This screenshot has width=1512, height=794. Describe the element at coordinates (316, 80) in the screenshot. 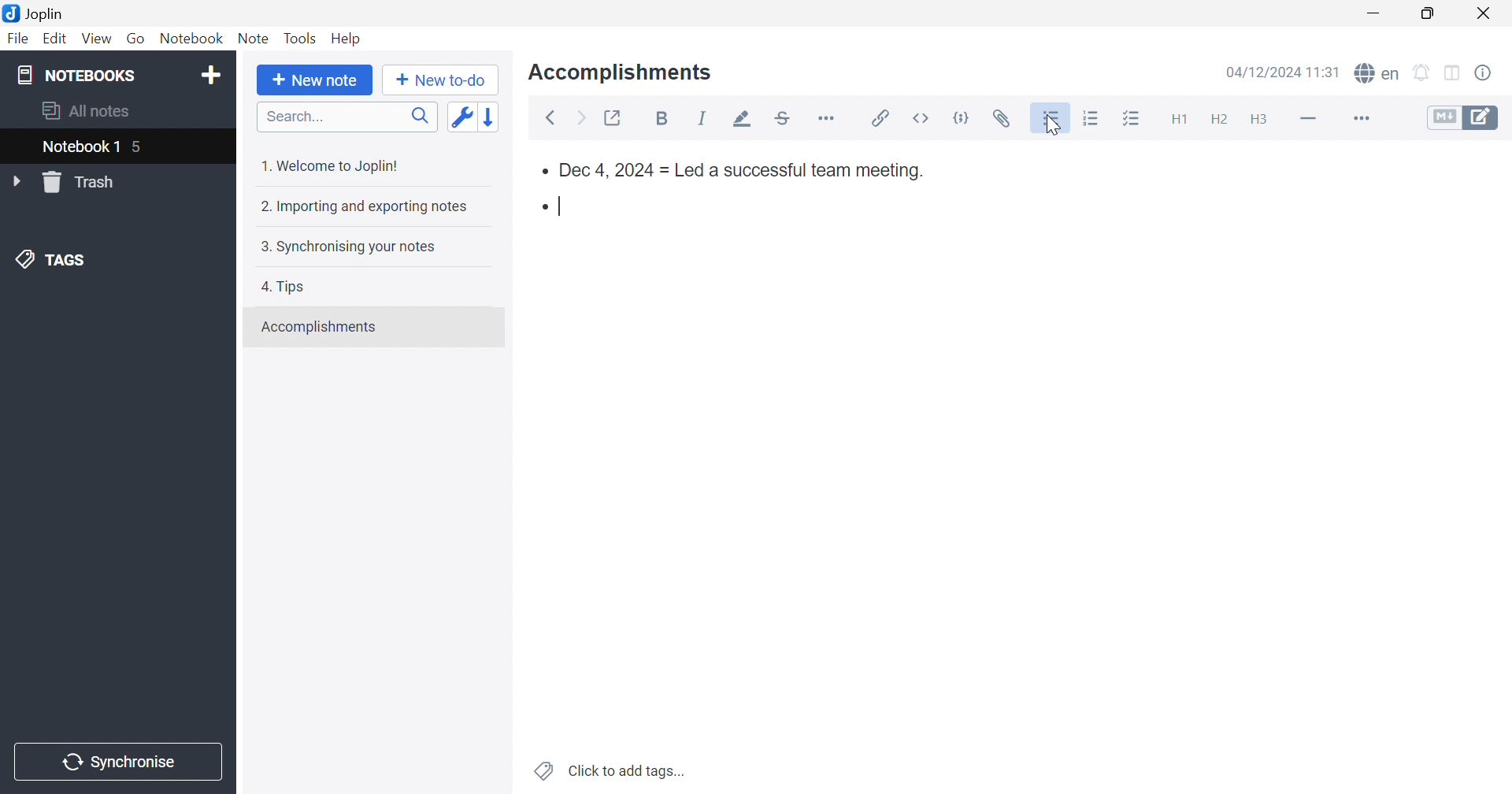

I see `New note` at that location.